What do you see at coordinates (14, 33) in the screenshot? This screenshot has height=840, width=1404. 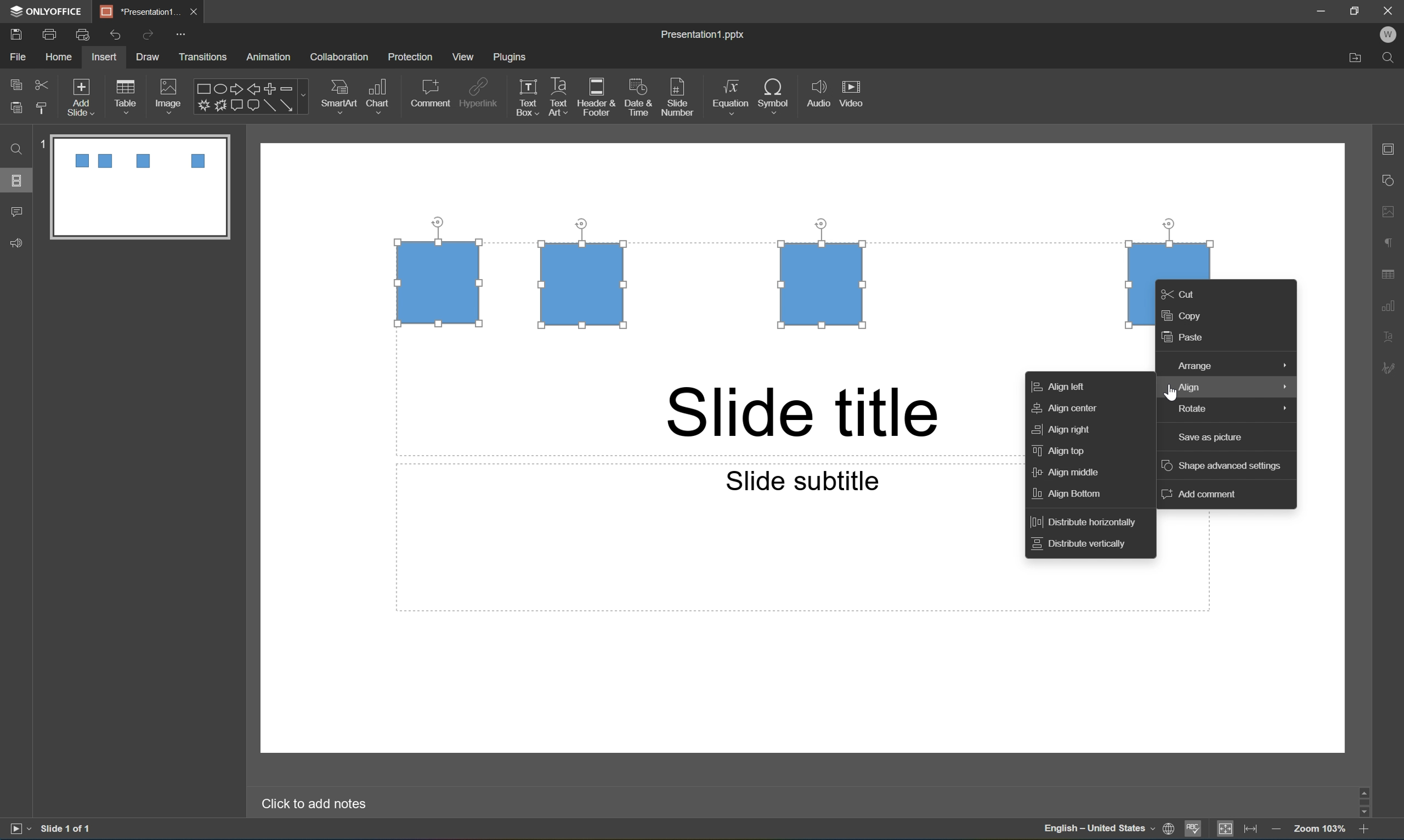 I see `save` at bounding box center [14, 33].